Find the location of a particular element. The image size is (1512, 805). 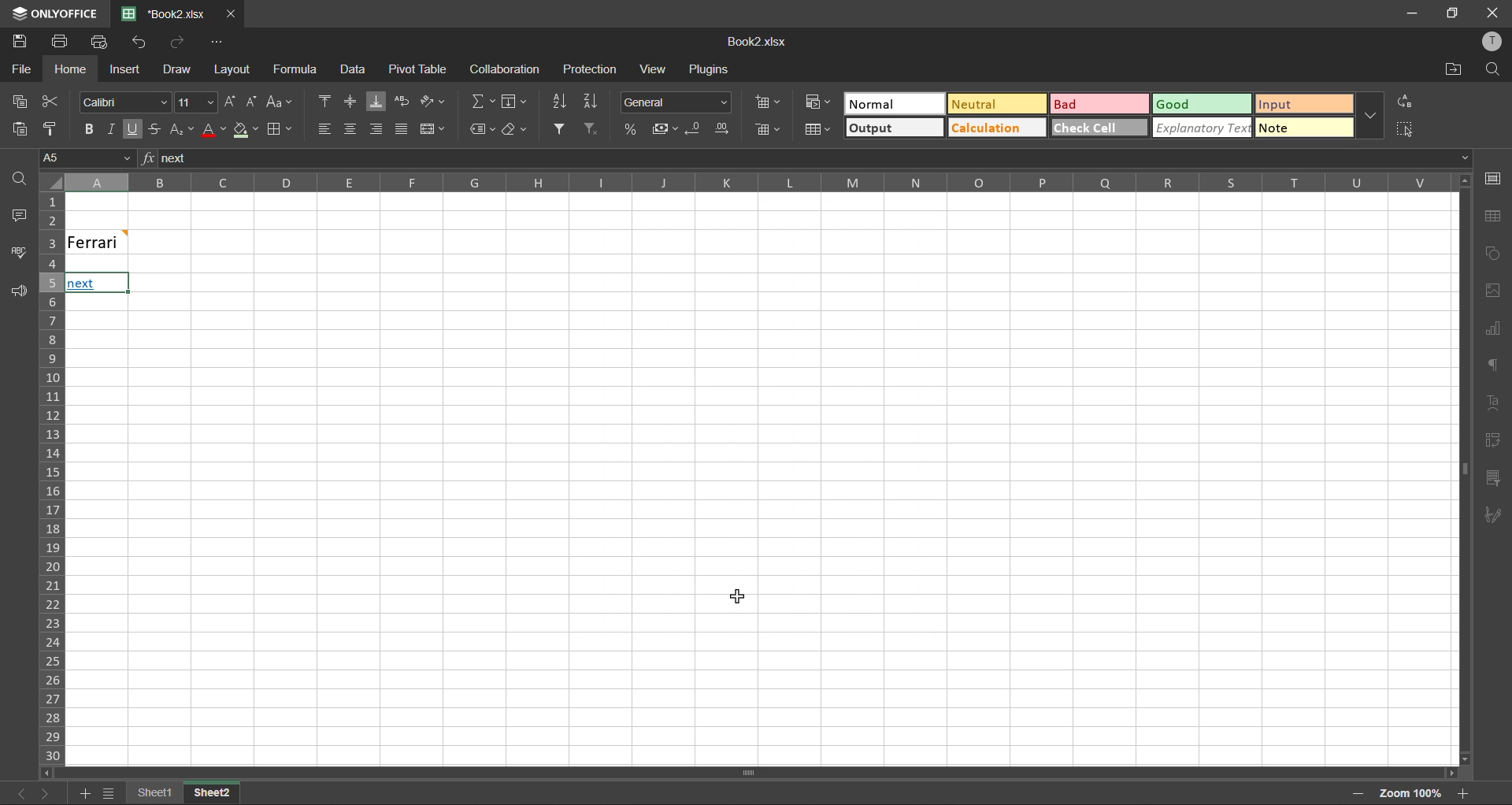

file is located at coordinates (20, 70).